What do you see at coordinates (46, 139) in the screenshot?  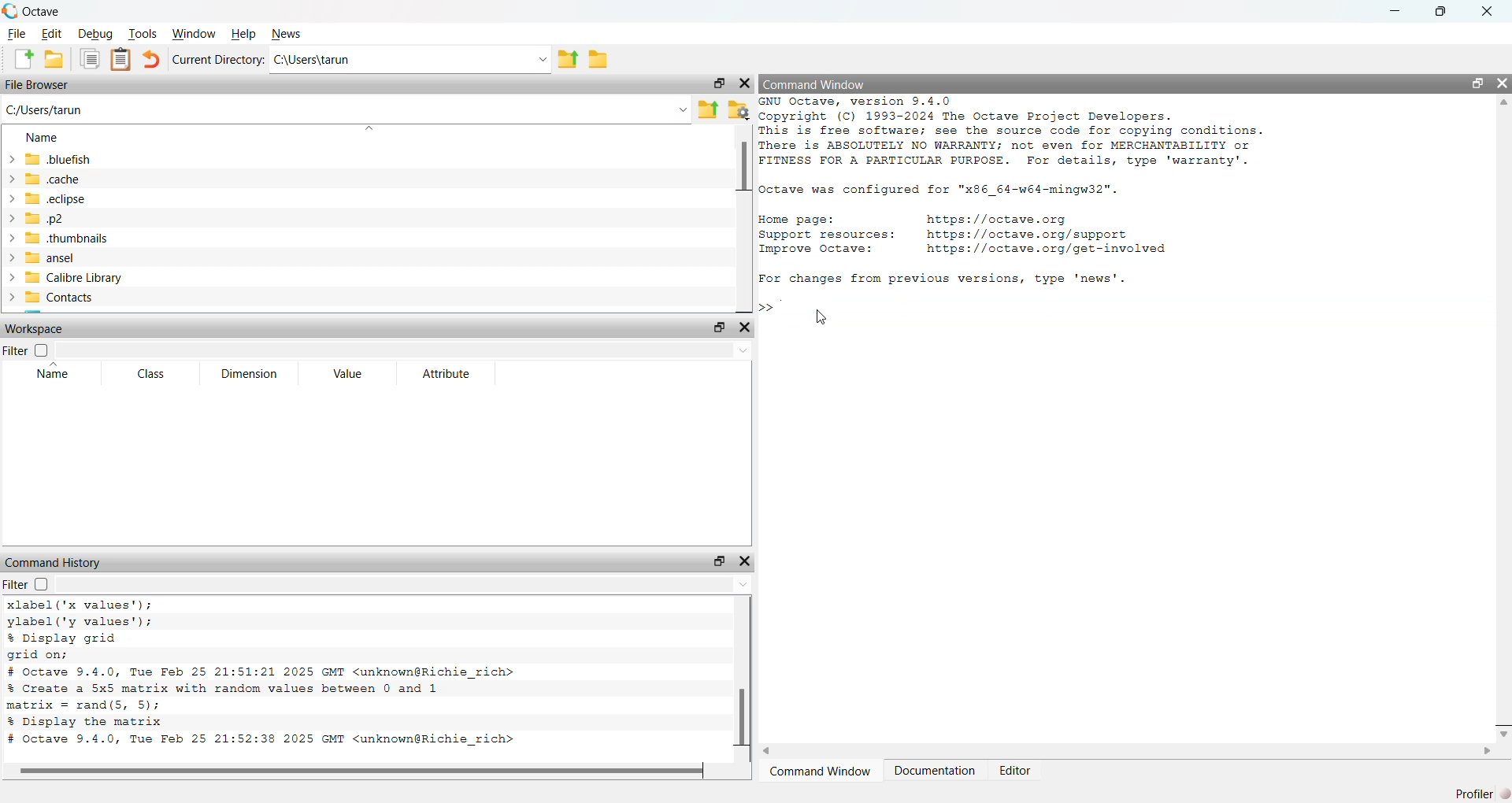 I see `Name` at bounding box center [46, 139].